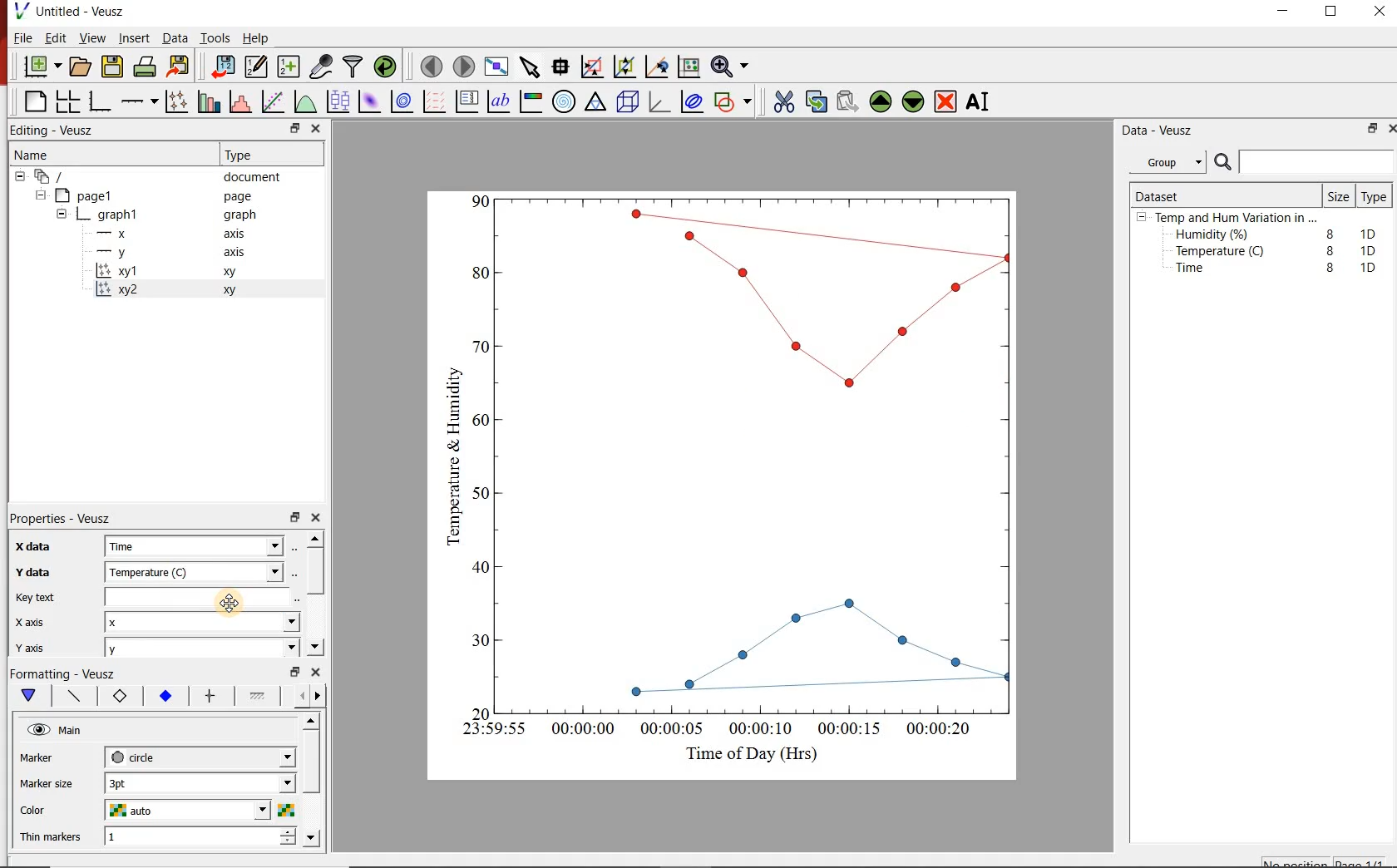  What do you see at coordinates (981, 101) in the screenshot?
I see `Rename the selected widget` at bounding box center [981, 101].